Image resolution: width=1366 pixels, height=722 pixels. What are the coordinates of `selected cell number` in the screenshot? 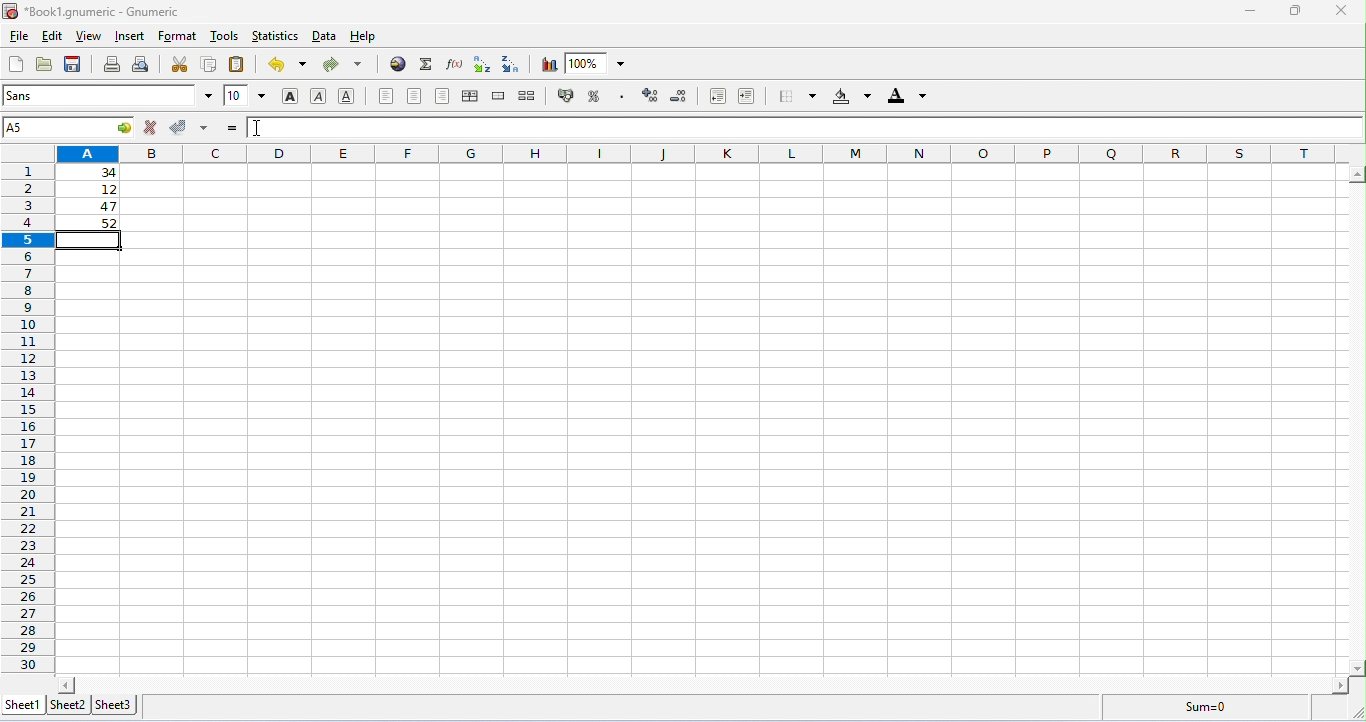 It's located at (69, 127).